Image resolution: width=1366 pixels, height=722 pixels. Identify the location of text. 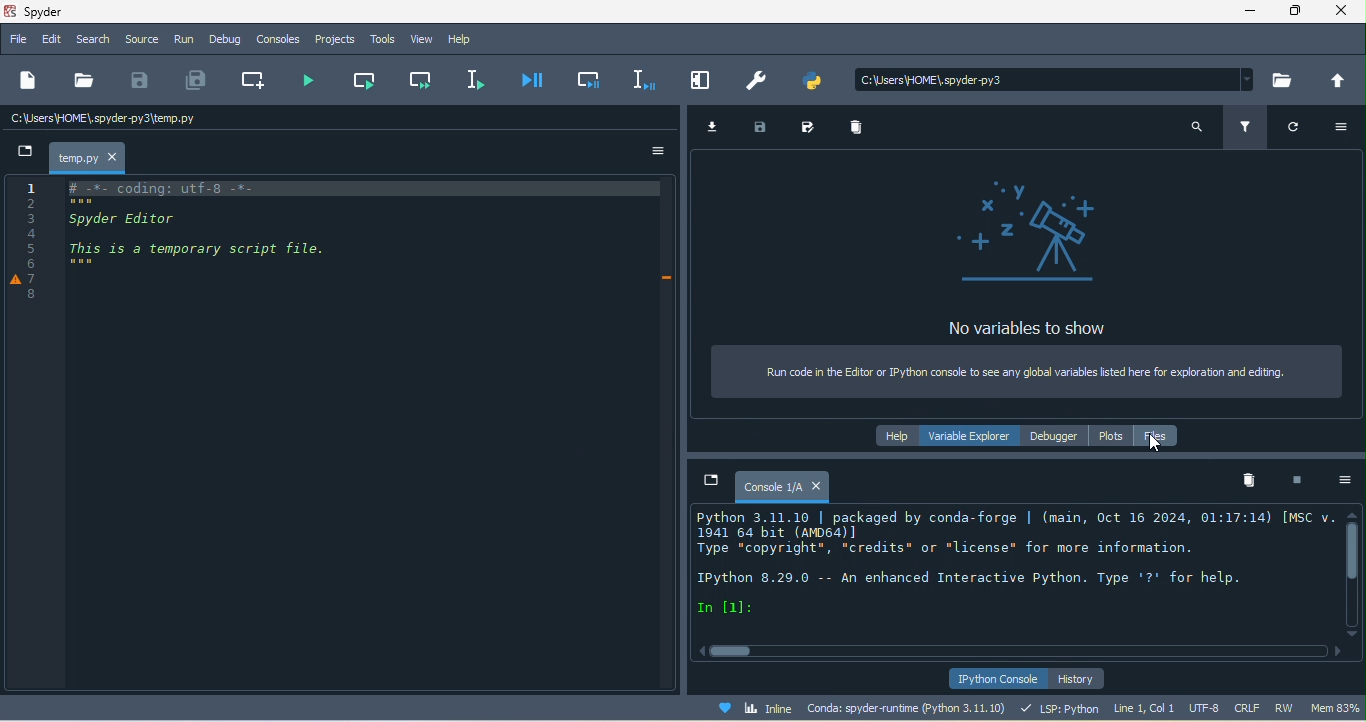
(1015, 574).